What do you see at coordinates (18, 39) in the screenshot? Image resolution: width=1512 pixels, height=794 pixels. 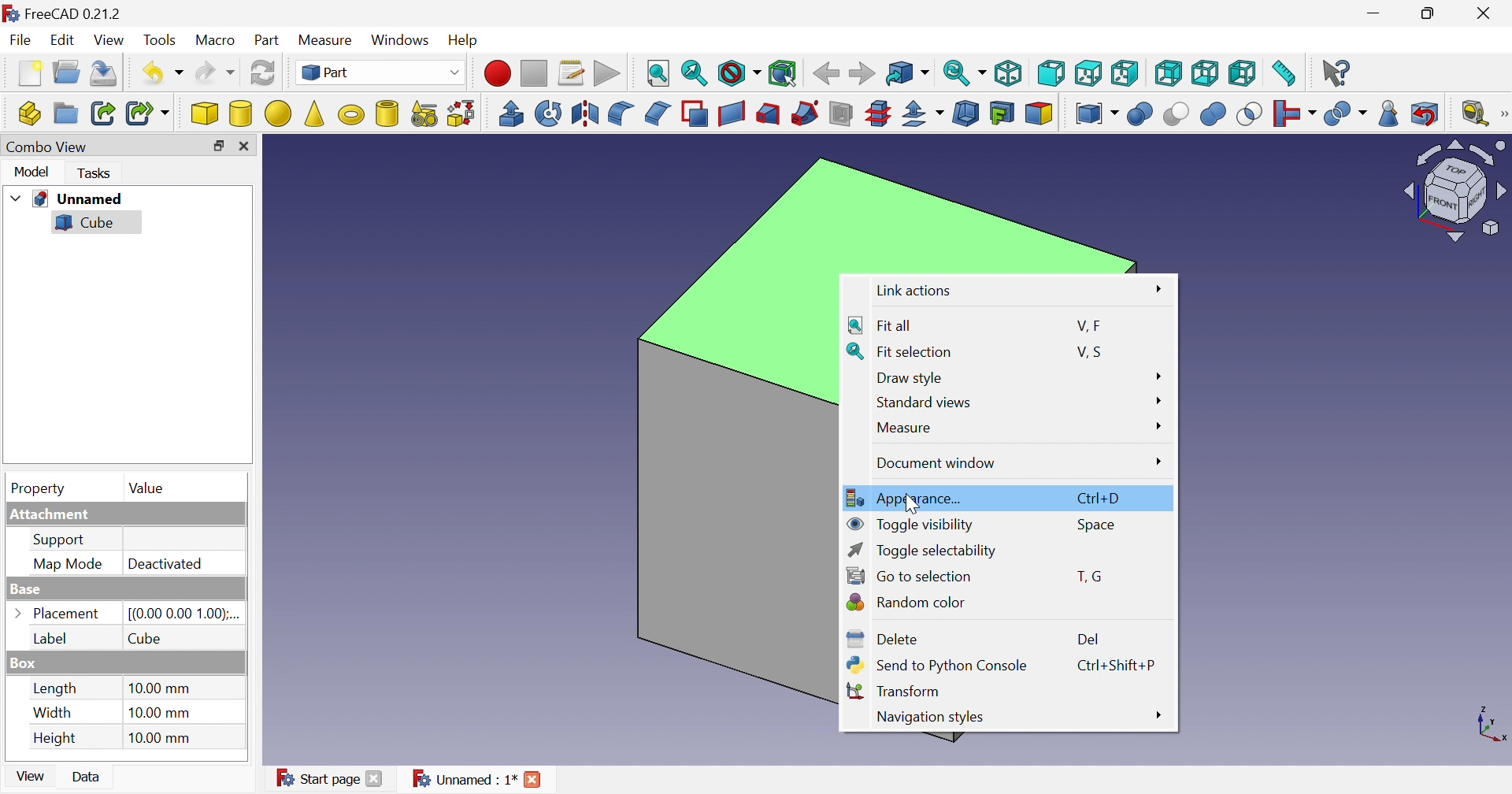 I see `File` at bounding box center [18, 39].